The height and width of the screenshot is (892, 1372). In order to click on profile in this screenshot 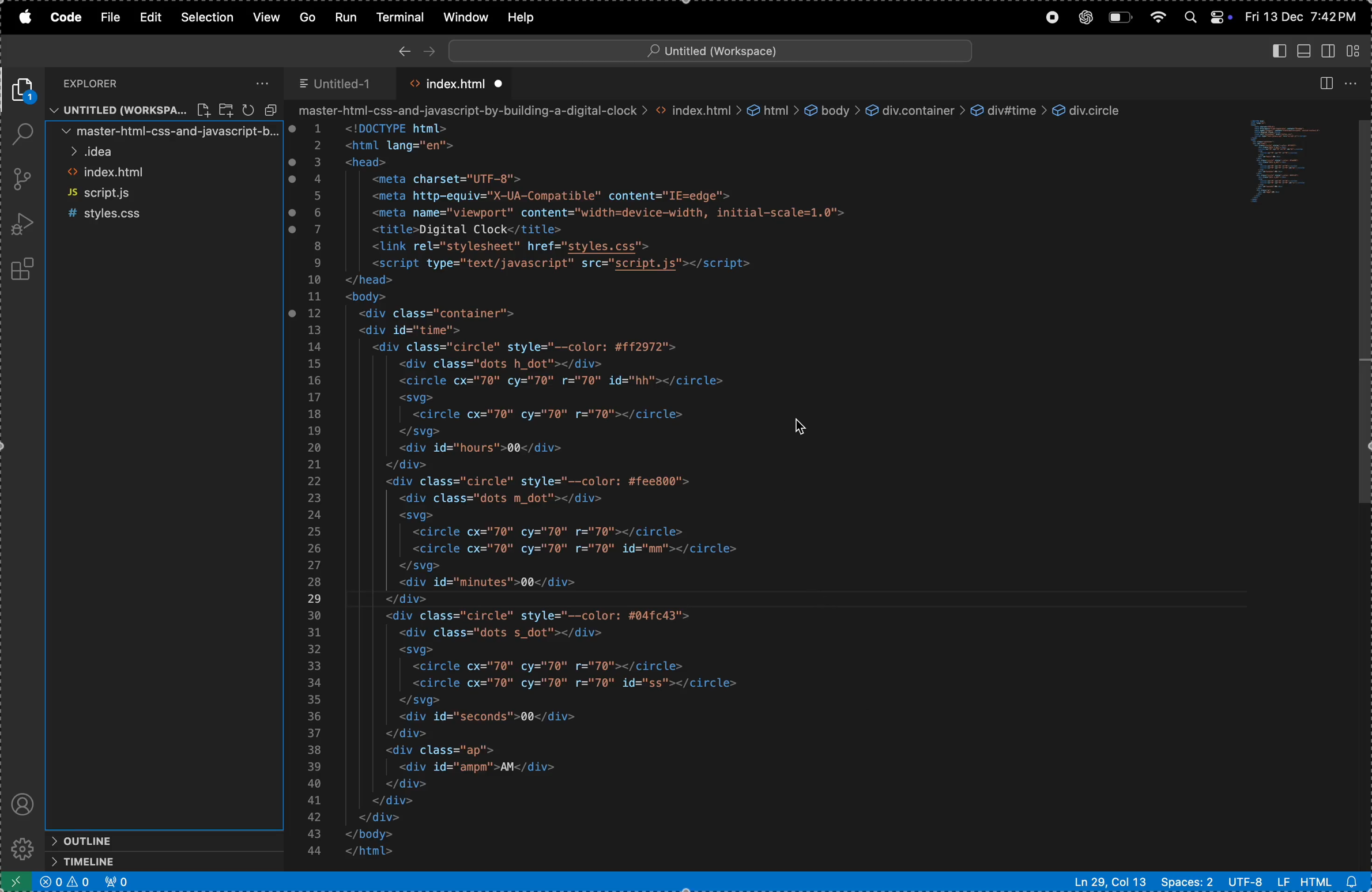, I will do `click(24, 802)`.